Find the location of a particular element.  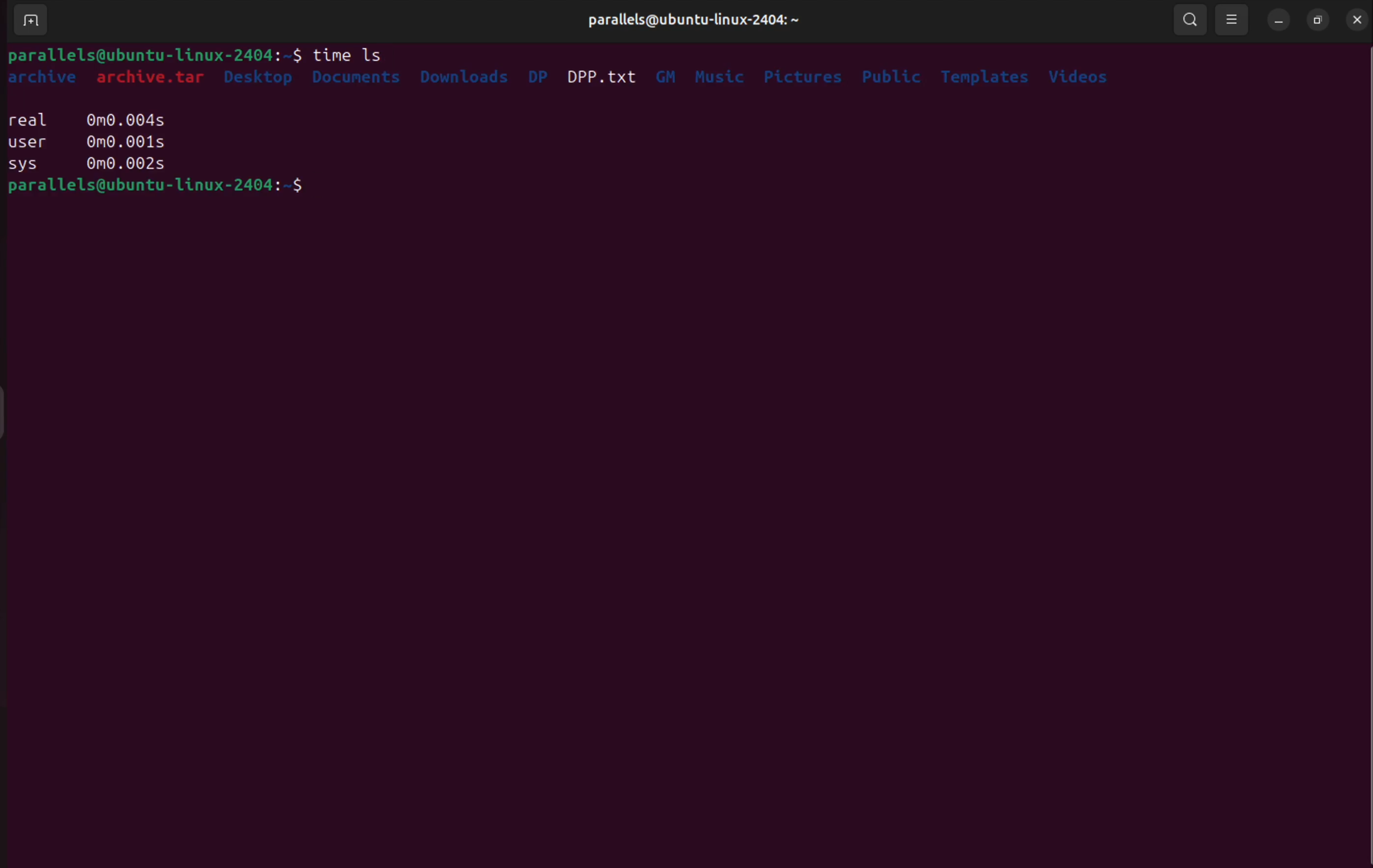

Videos is located at coordinates (1082, 73).